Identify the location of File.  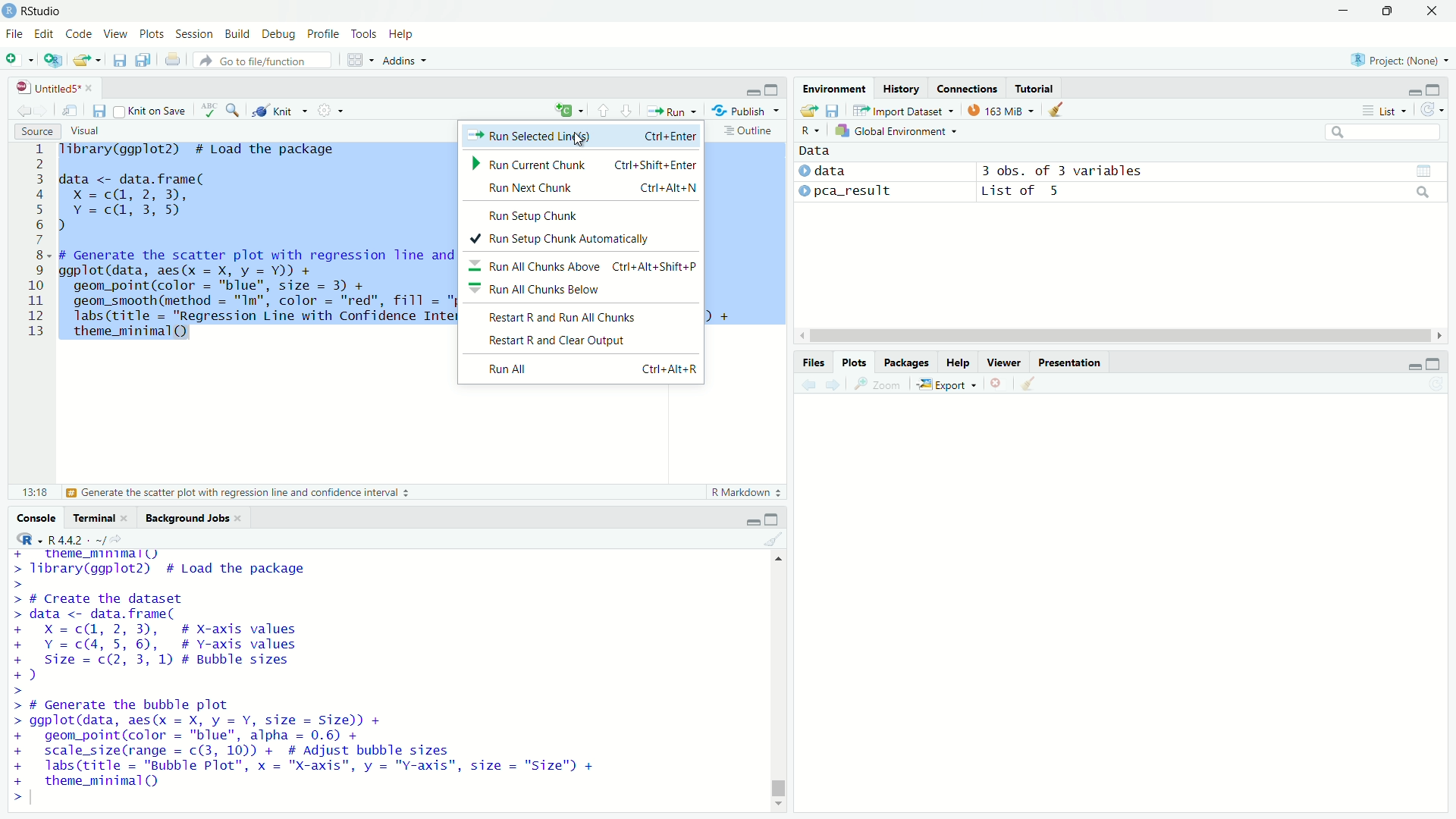
(14, 34).